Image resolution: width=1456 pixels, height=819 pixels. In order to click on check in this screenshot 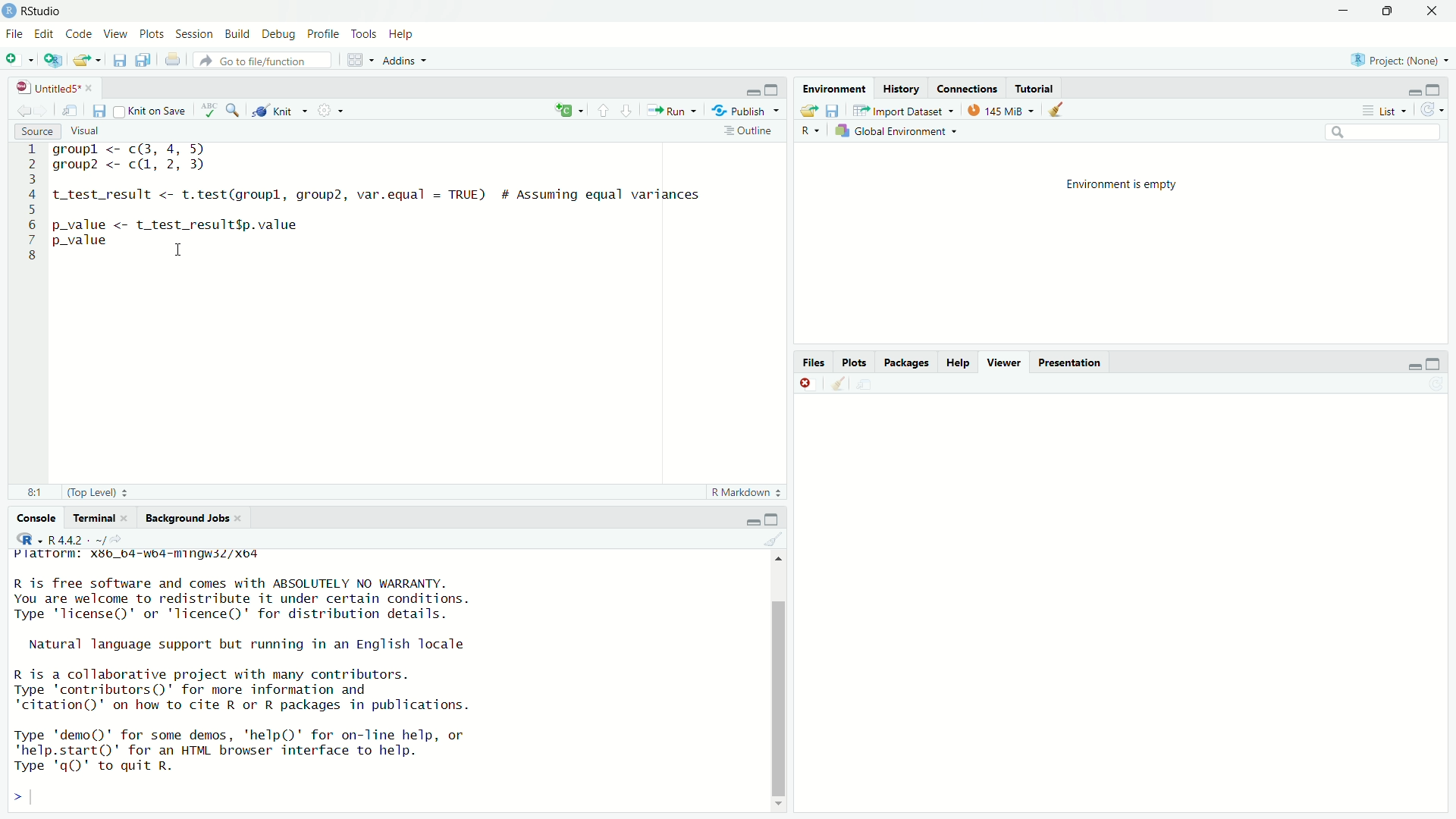, I will do `click(211, 108)`.